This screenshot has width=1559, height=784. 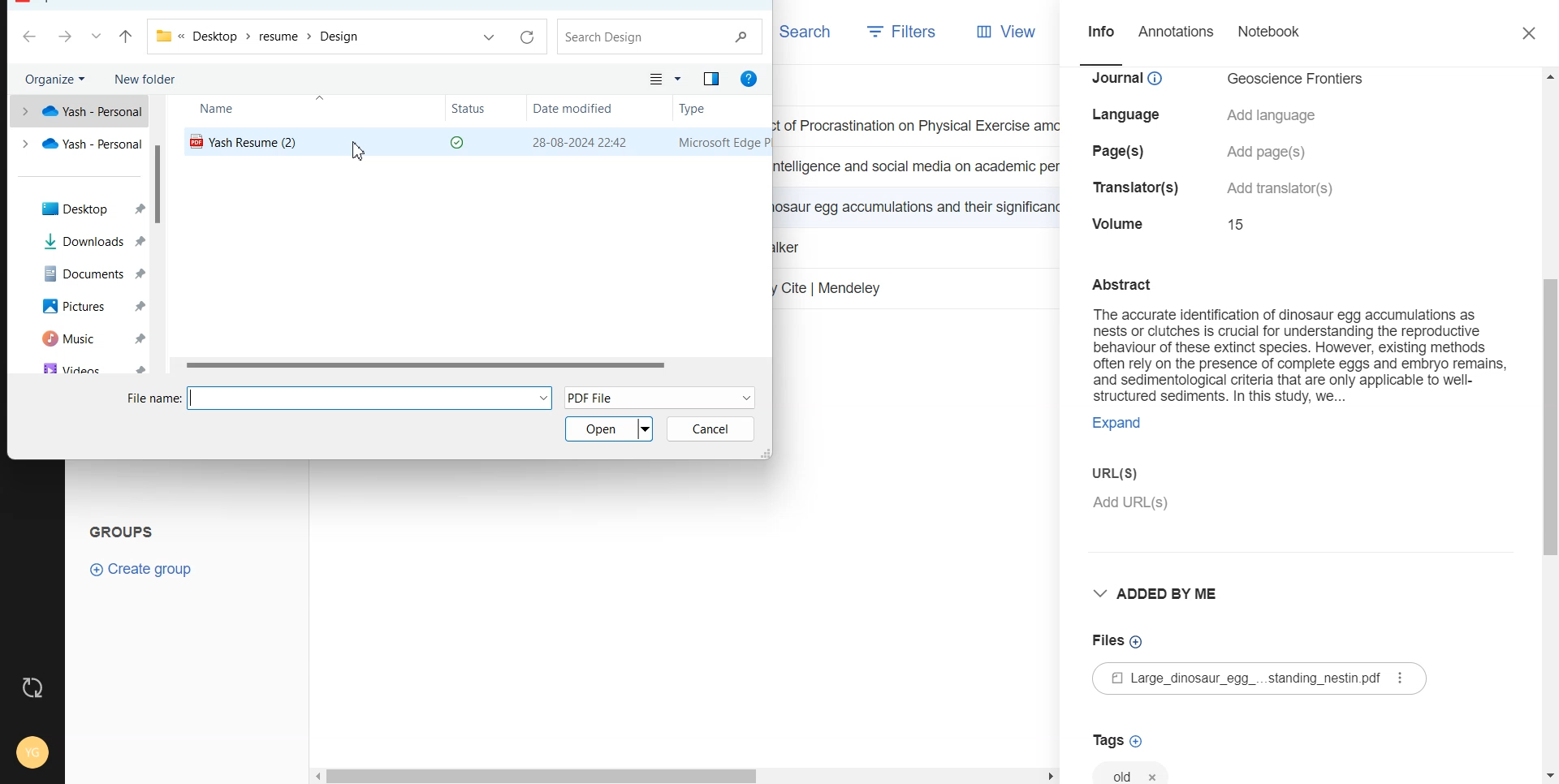 What do you see at coordinates (57, 79) in the screenshot?
I see `Organize` at bounding box center [57, 79].